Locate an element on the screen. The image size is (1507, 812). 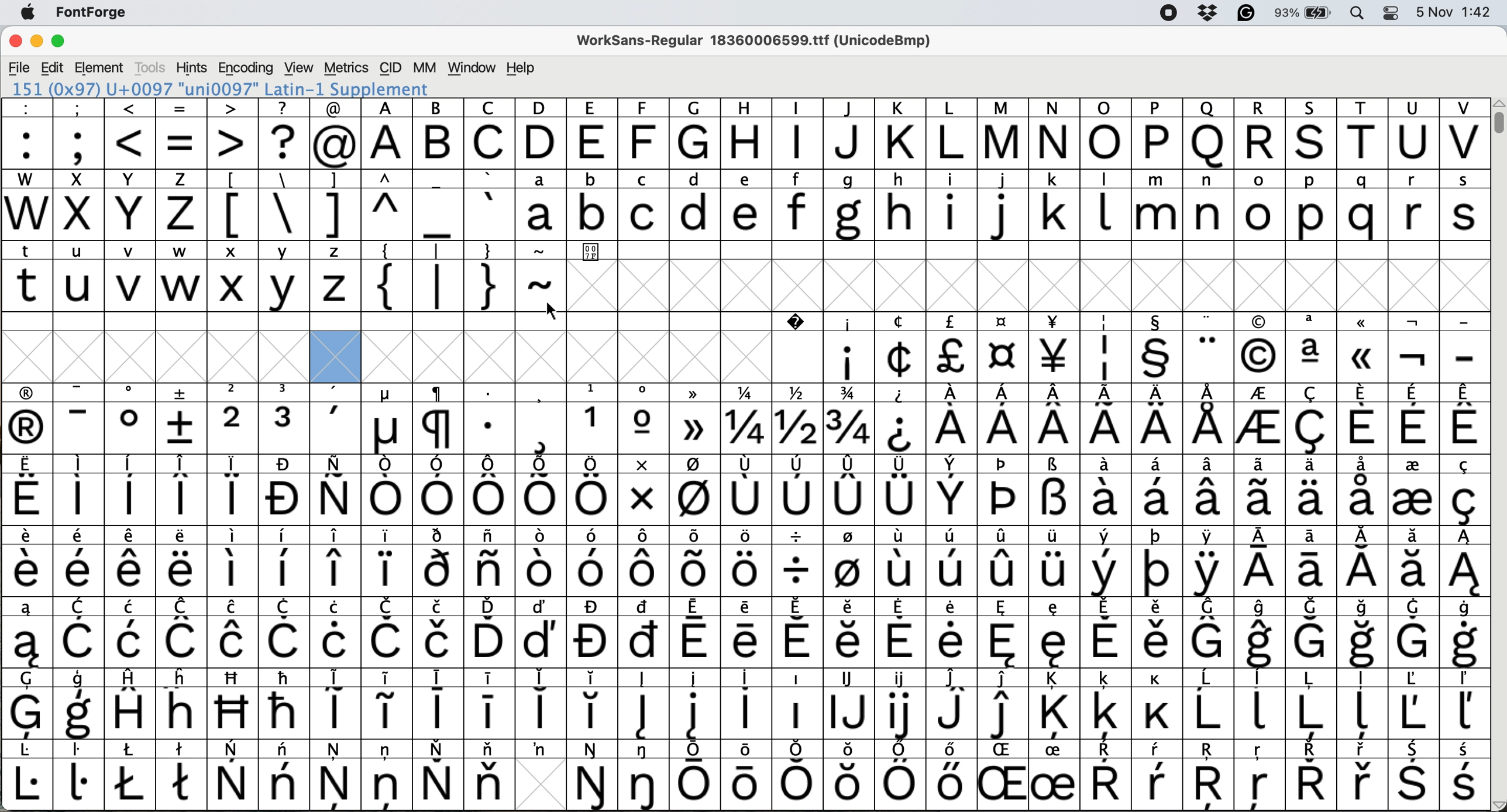
symbol is located at coordinates (1055, 419).